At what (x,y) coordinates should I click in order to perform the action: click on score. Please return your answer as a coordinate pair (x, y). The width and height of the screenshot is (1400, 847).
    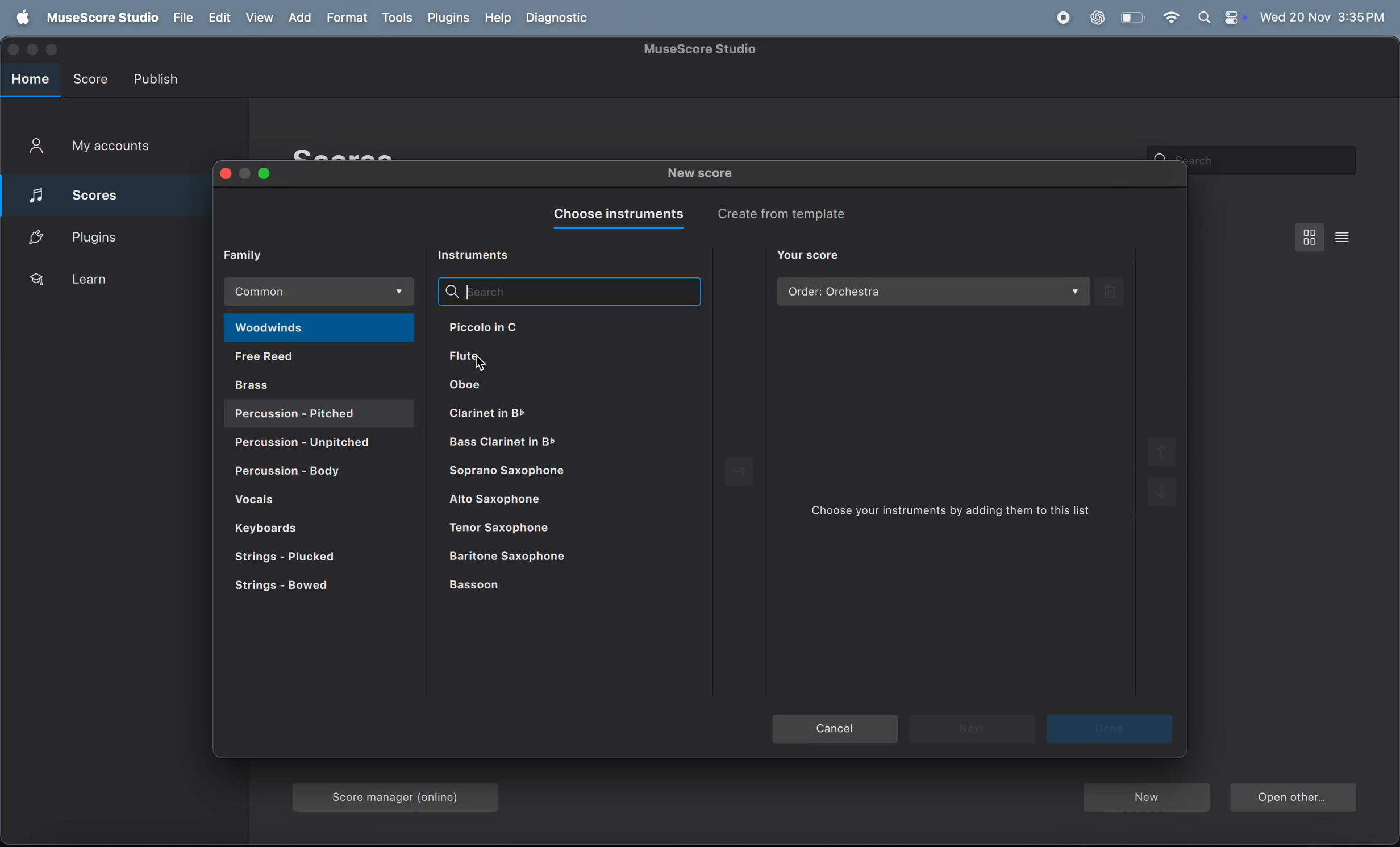
    Looking at the image, I should click on (95, 192).